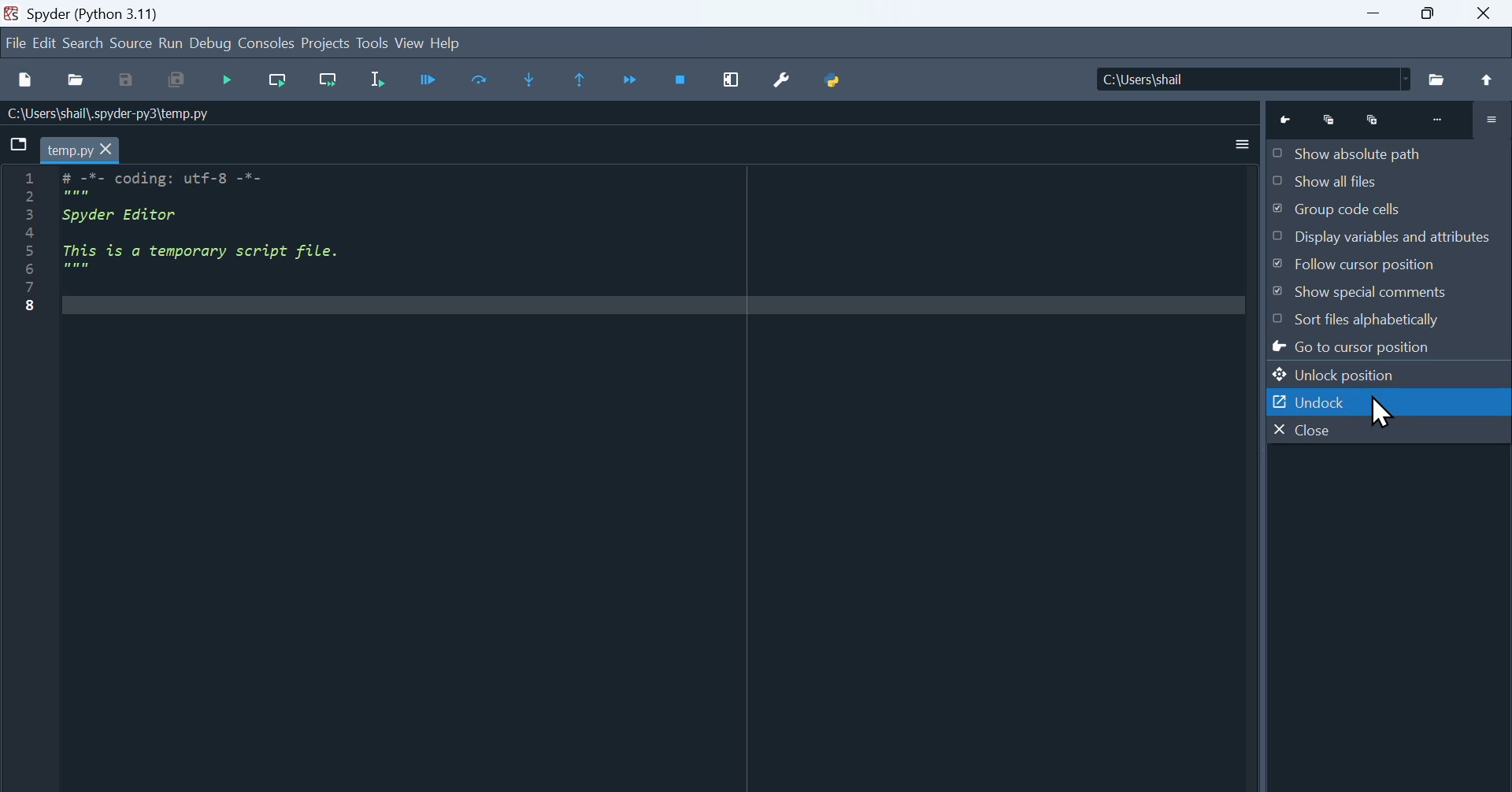 The image size is (1512, 792). What do you see at coordinates (373, 41) in the screenshot?
I see `Tools` at bounding box center [373, 41].